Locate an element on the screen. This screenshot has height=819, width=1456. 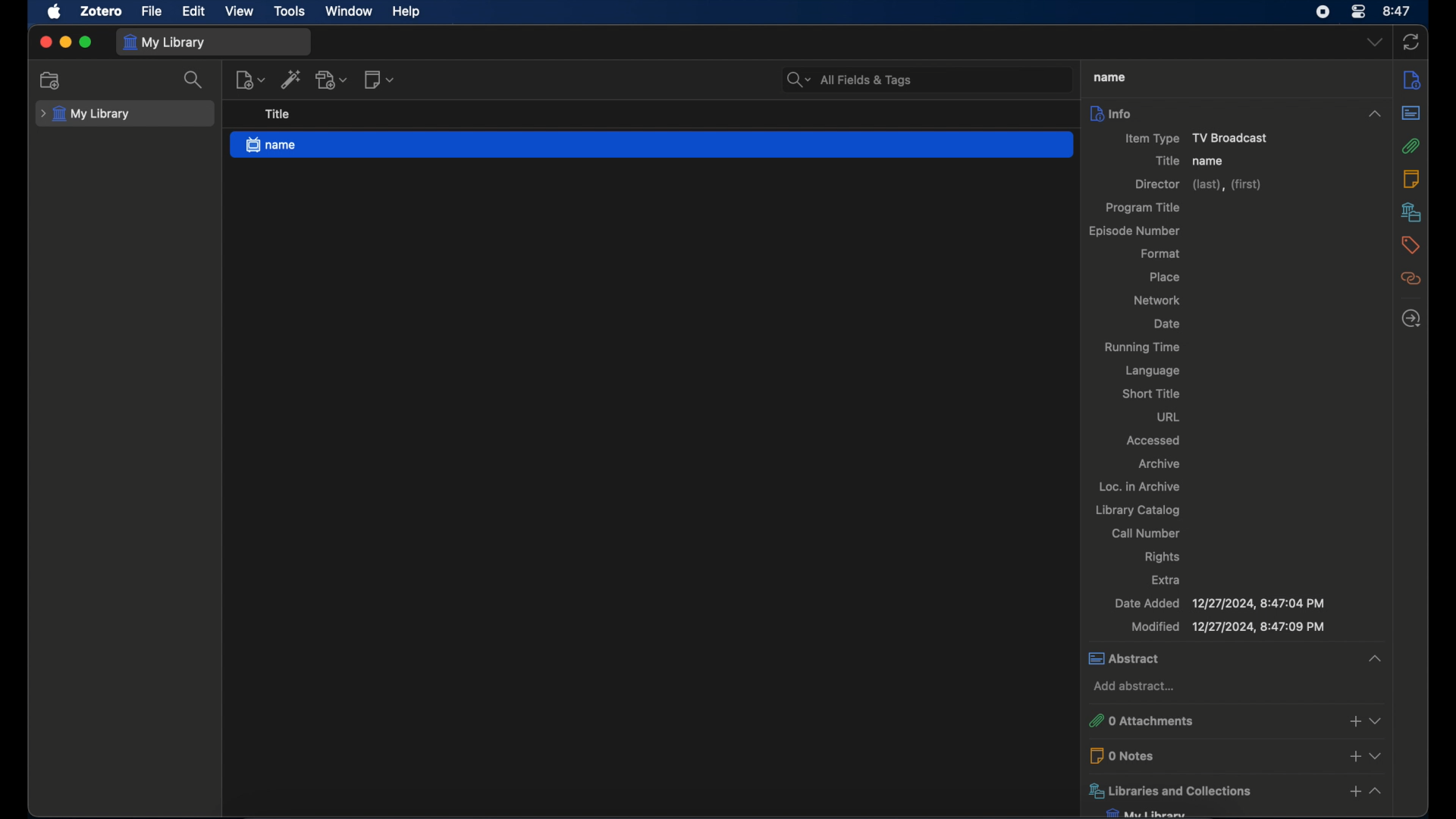
abstract is located at coordinates (1203, 657).